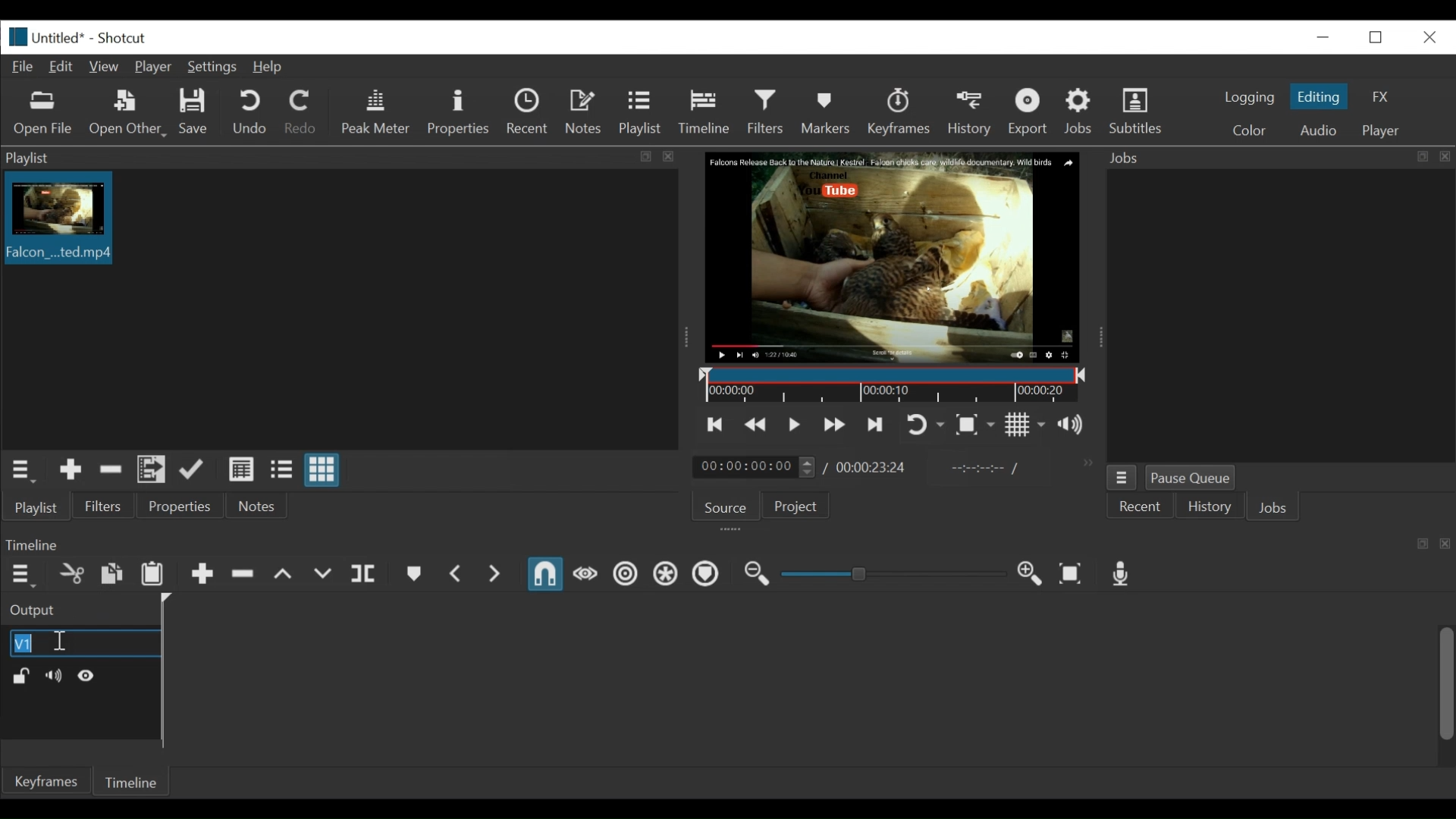 Image resolution: width=1456 pixels, height=819 pixels. What do you see at coordinates (972, 114) in the screenshot?
I see `History` at bounding box center [972, 114].